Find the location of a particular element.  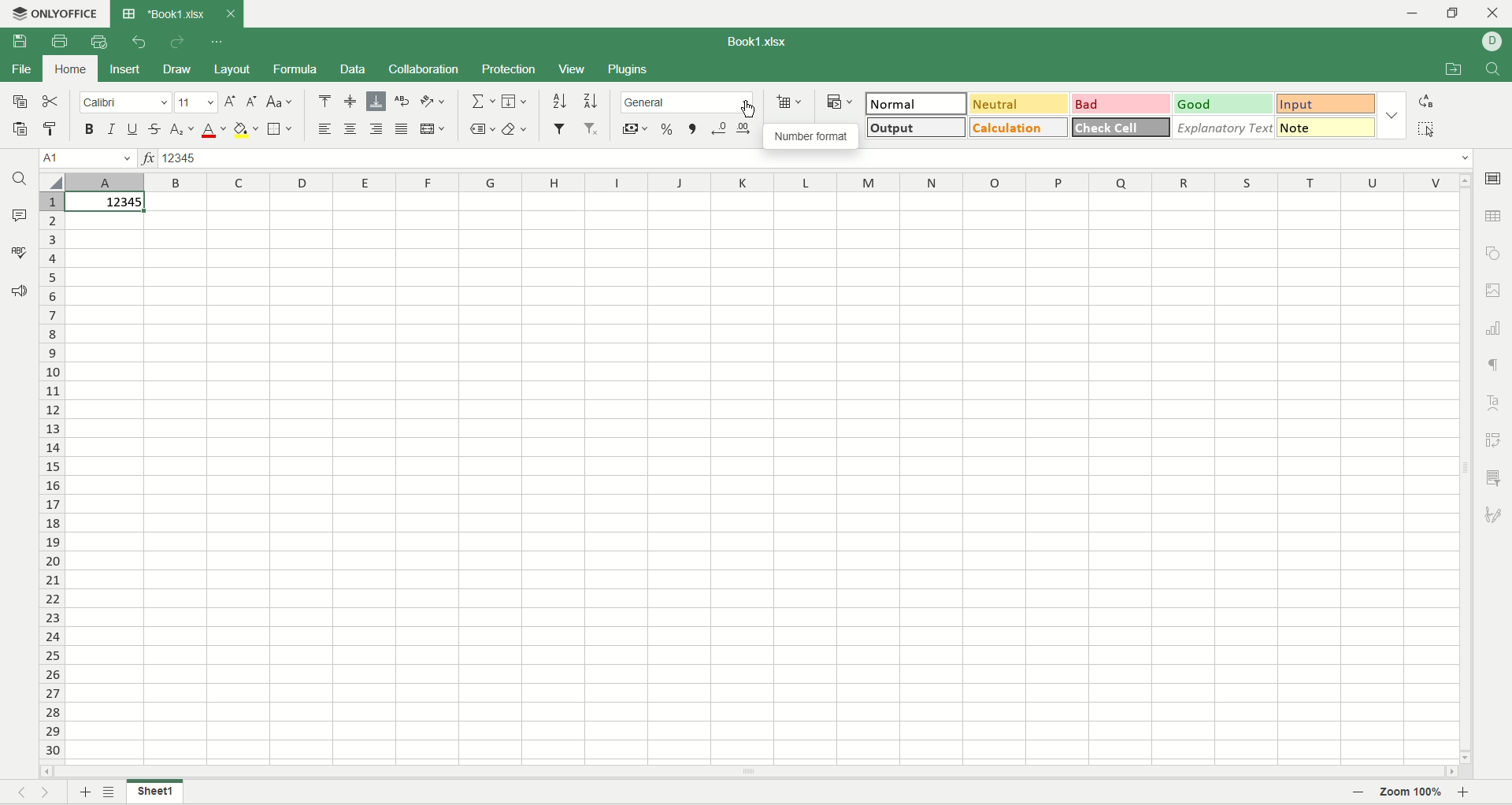

replace is located at coordinates (1425, 101).